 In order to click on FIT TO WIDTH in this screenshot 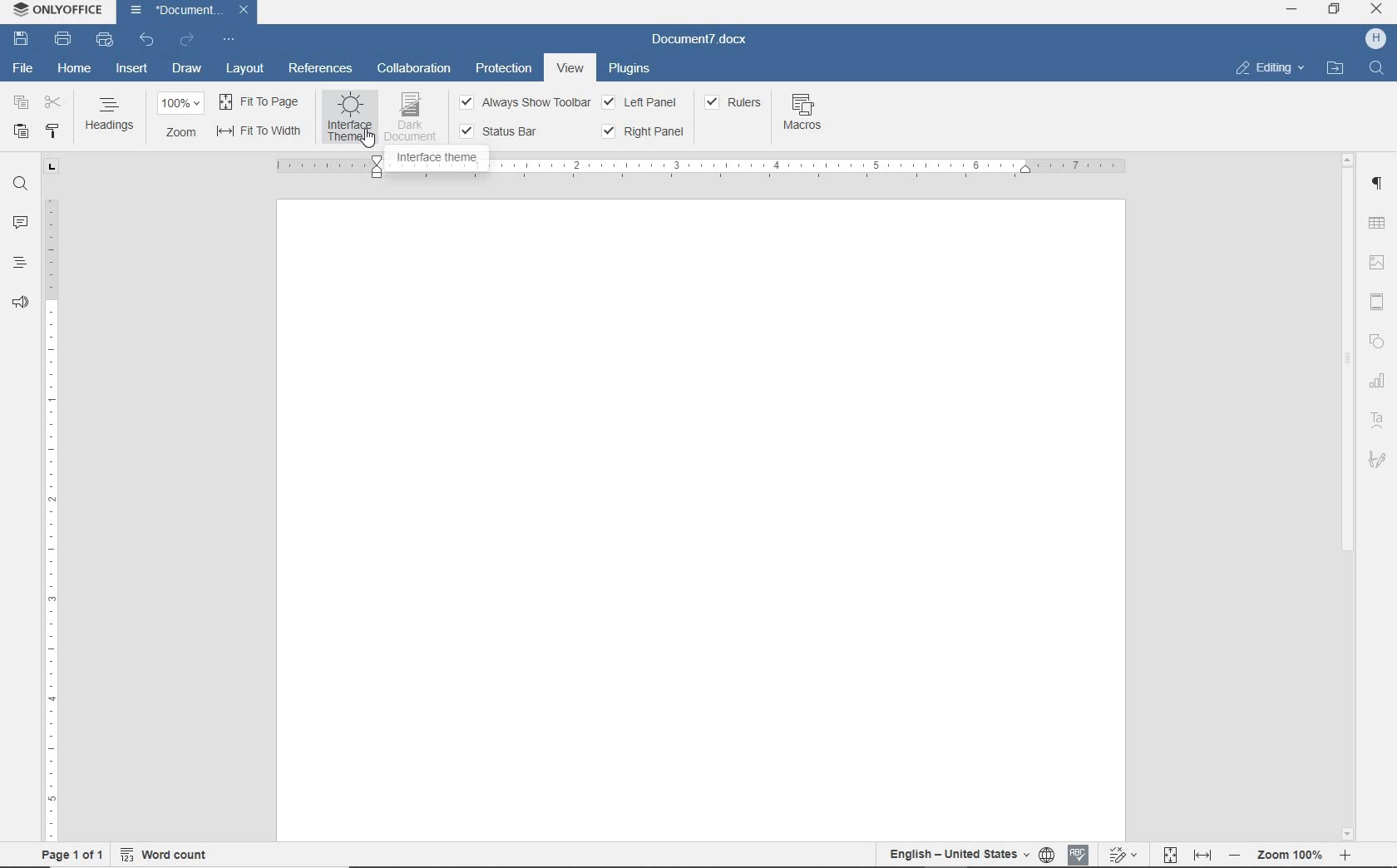, I will do `click(1203, 854)`.